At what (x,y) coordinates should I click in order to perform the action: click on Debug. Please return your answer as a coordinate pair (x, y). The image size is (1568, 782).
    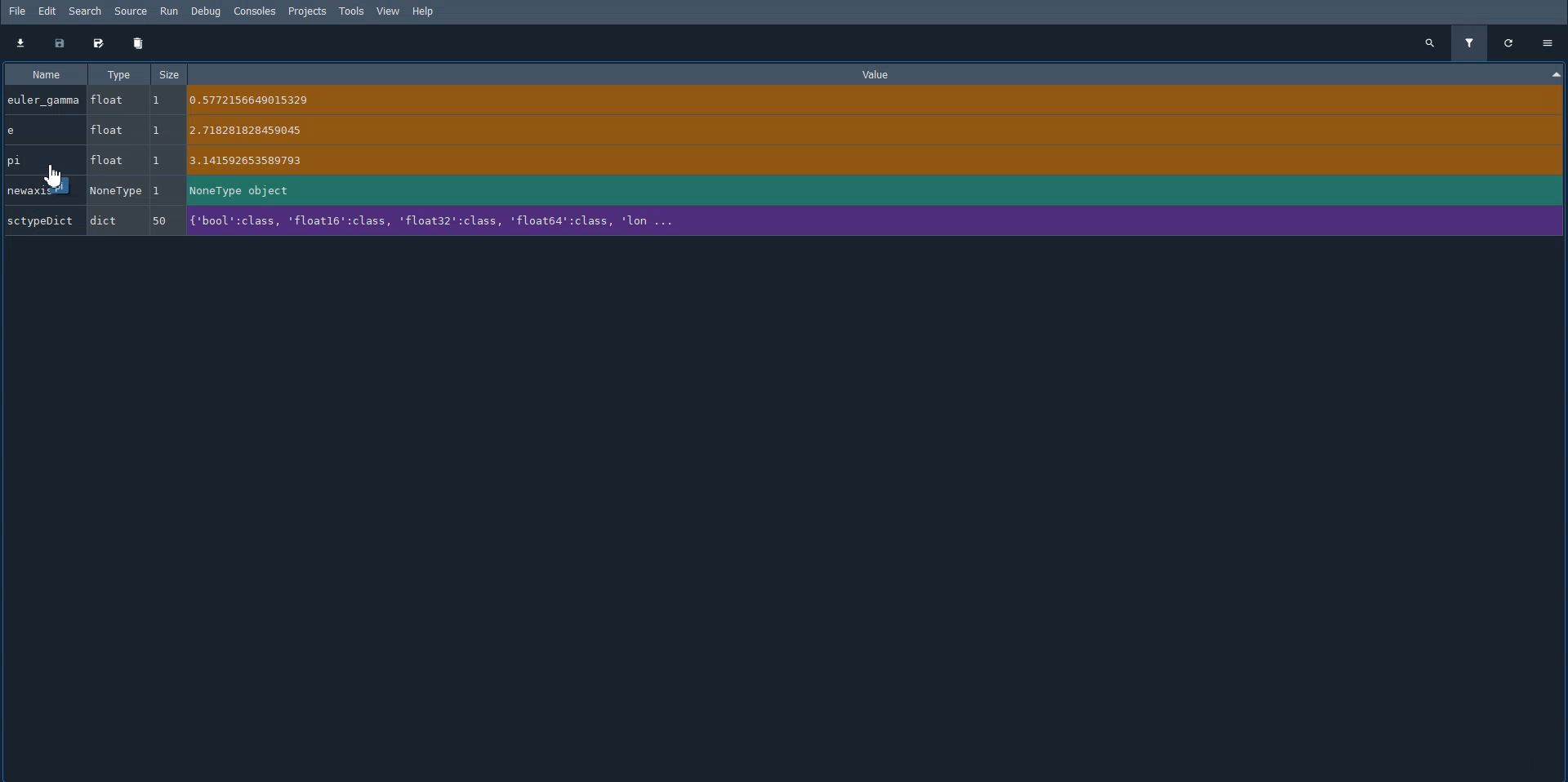
    Looking at the image, I should click on (209, 11).